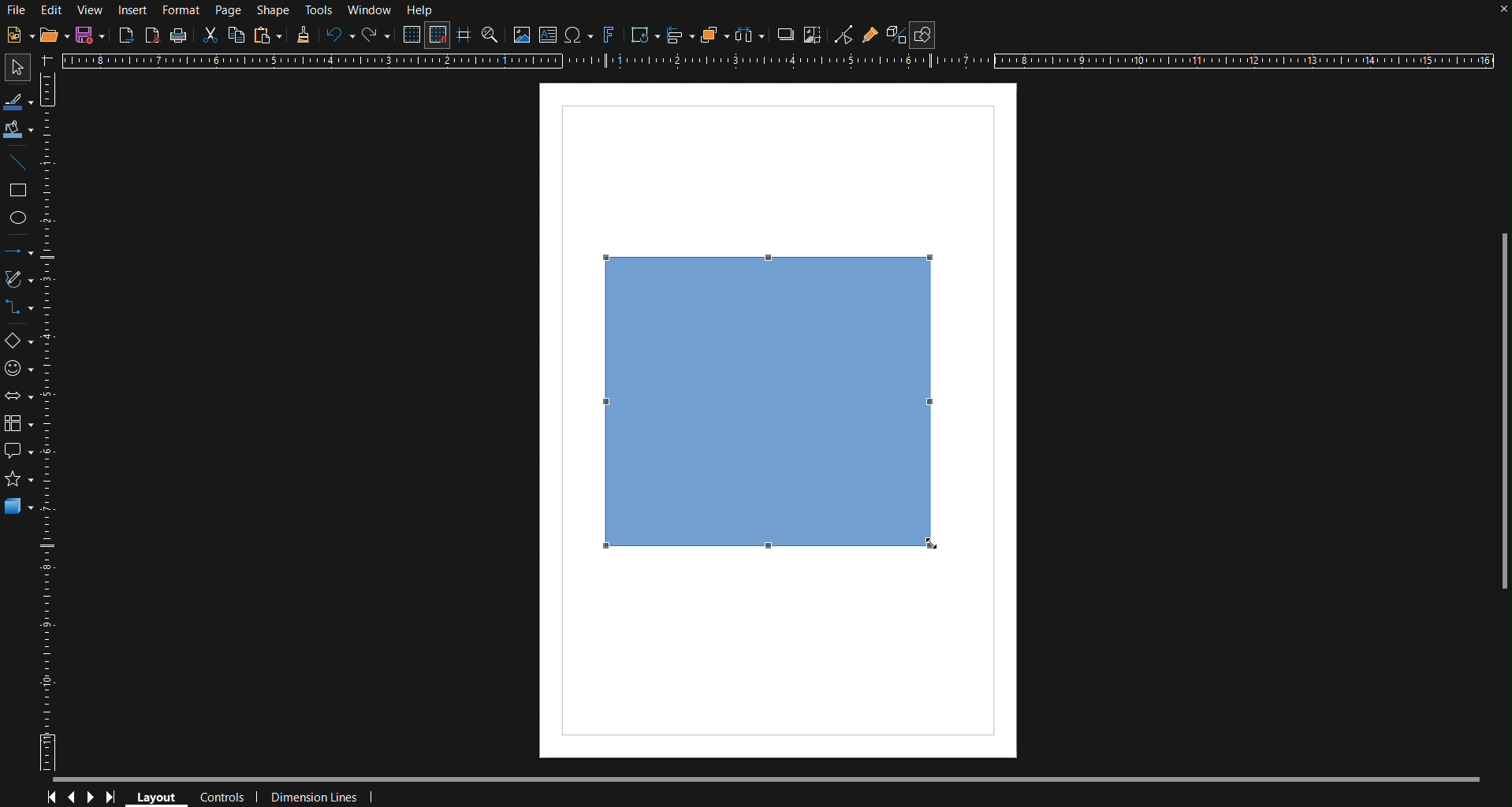  I want to click on Fontworks, so click(608, 35).